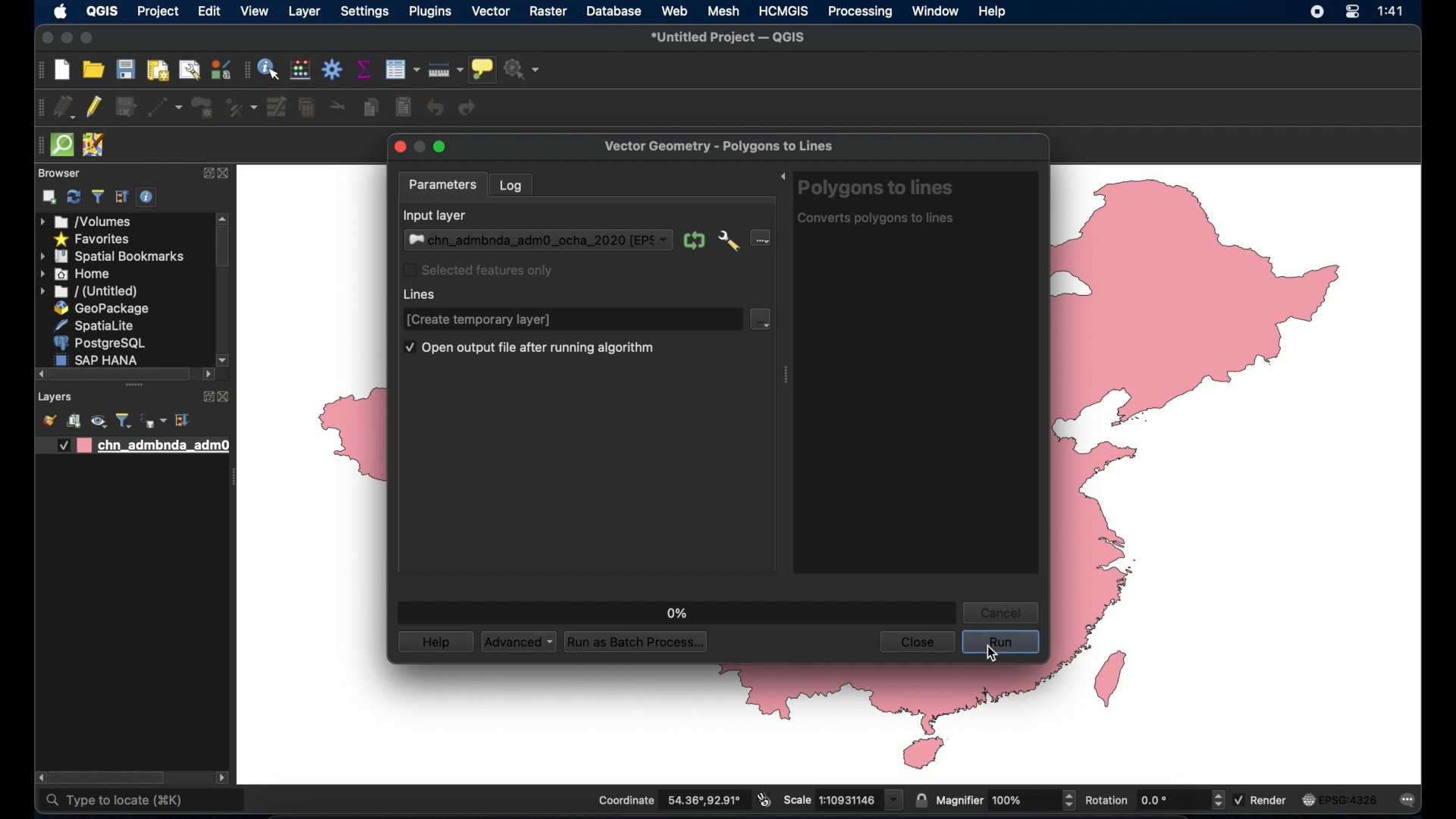 This screenshot has height=819, width=1456. What do you see at coordinates (468, 108) in the screenshot?
I see `redo` at bounding box center [468, 108].